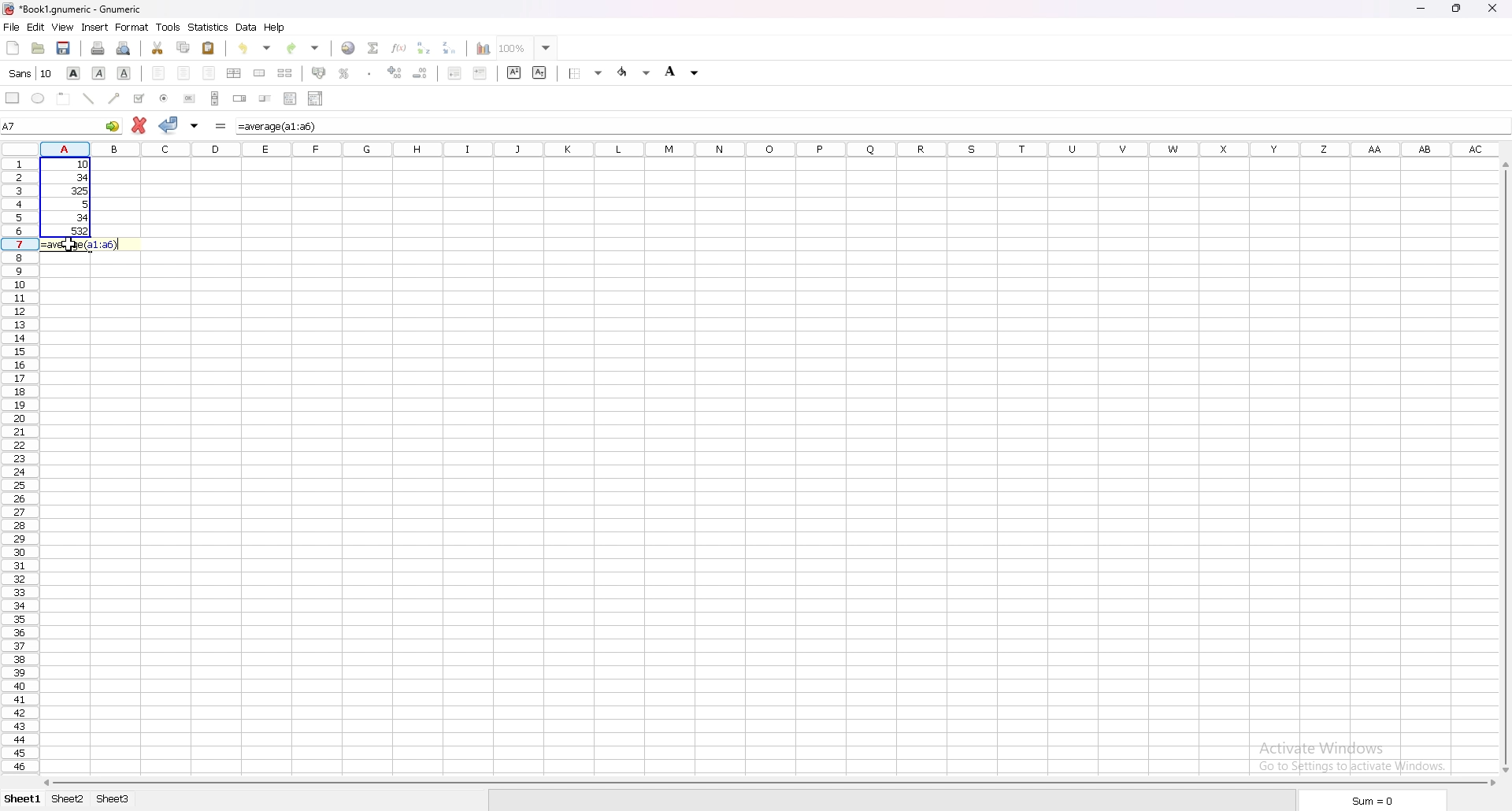  I want to click on save, so click(65, 48).